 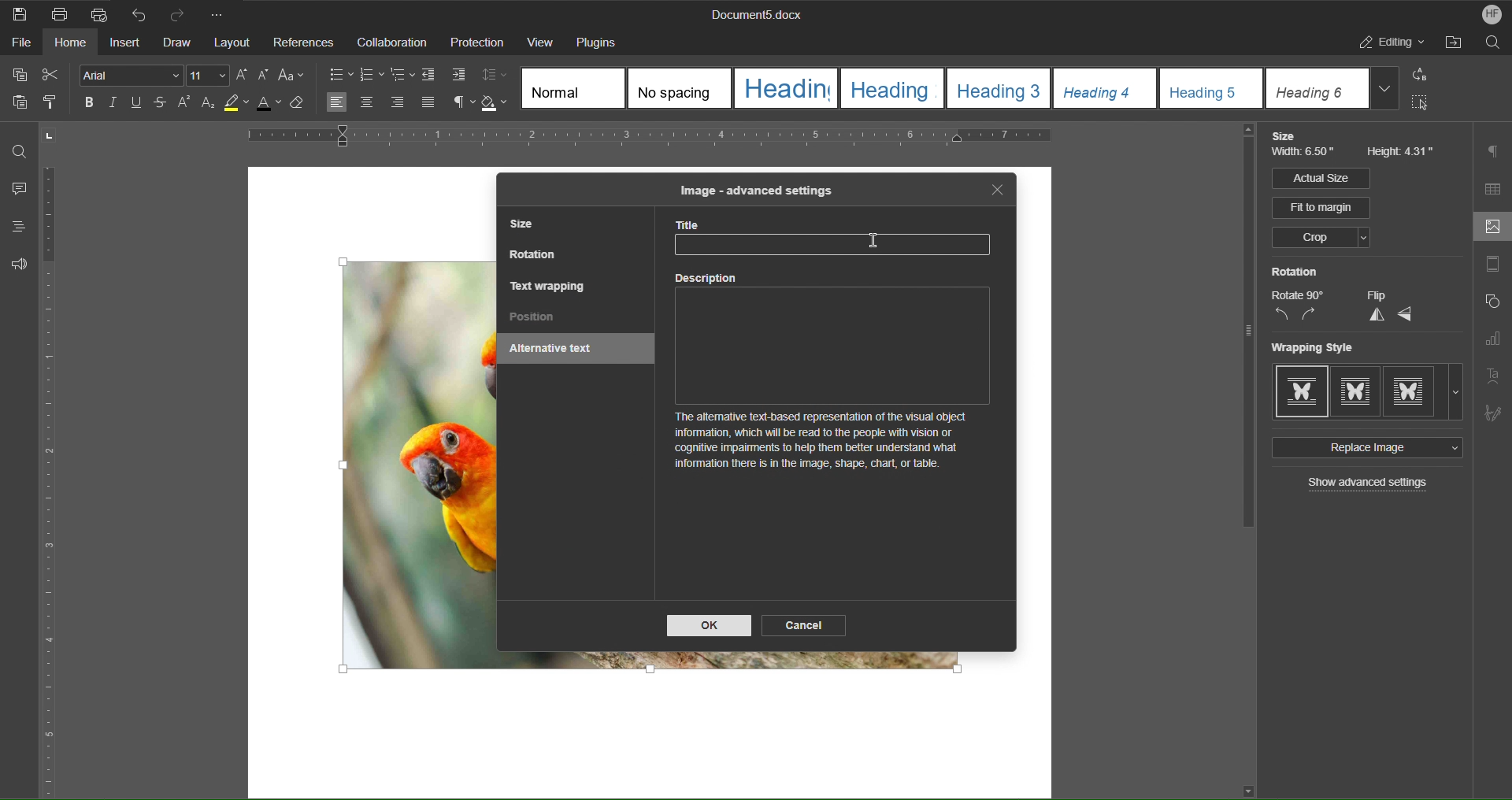 What do you see at coordinates (1489, 228) in the screenshot?
I see `Image Settings` at bounding box center [1489, 228].